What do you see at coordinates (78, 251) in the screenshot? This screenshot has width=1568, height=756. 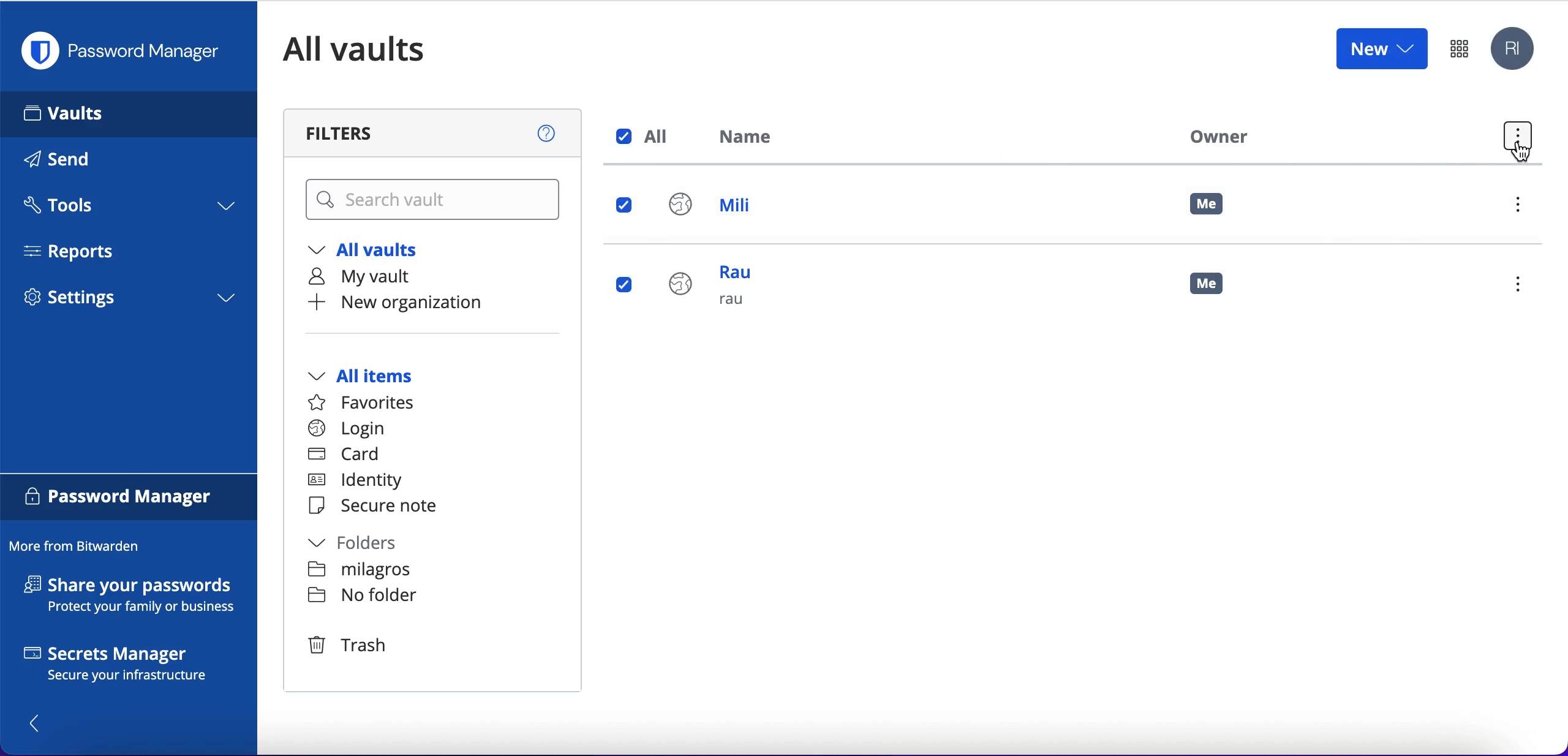 I see `reports` at bounding box center [78, 251].